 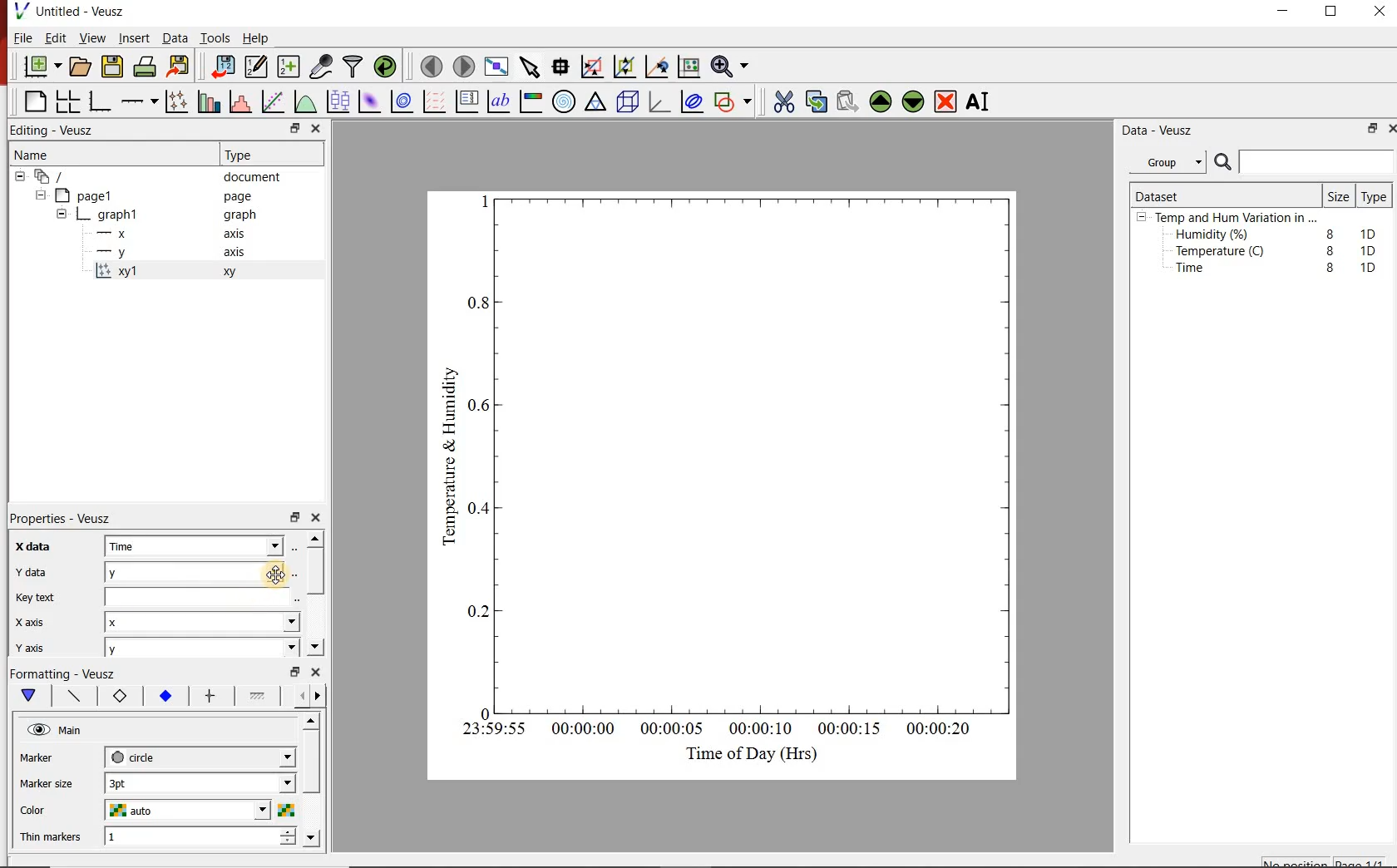 What do you see at coordinates (313, 778) in the screenshot?
I see `scroll bar` at bounding box center [313, 778].